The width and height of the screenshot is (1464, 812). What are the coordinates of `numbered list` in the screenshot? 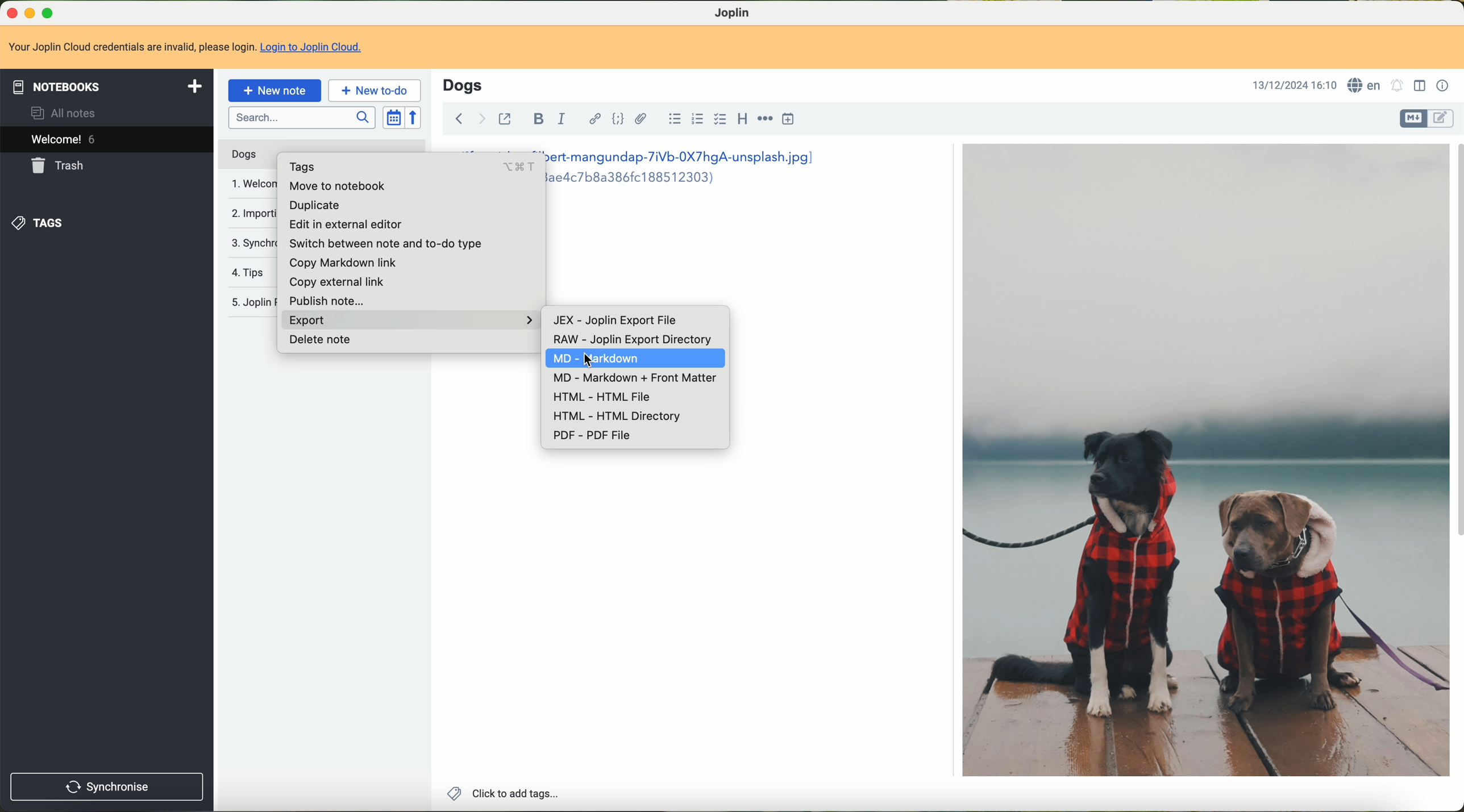 It's located at (698, 120).